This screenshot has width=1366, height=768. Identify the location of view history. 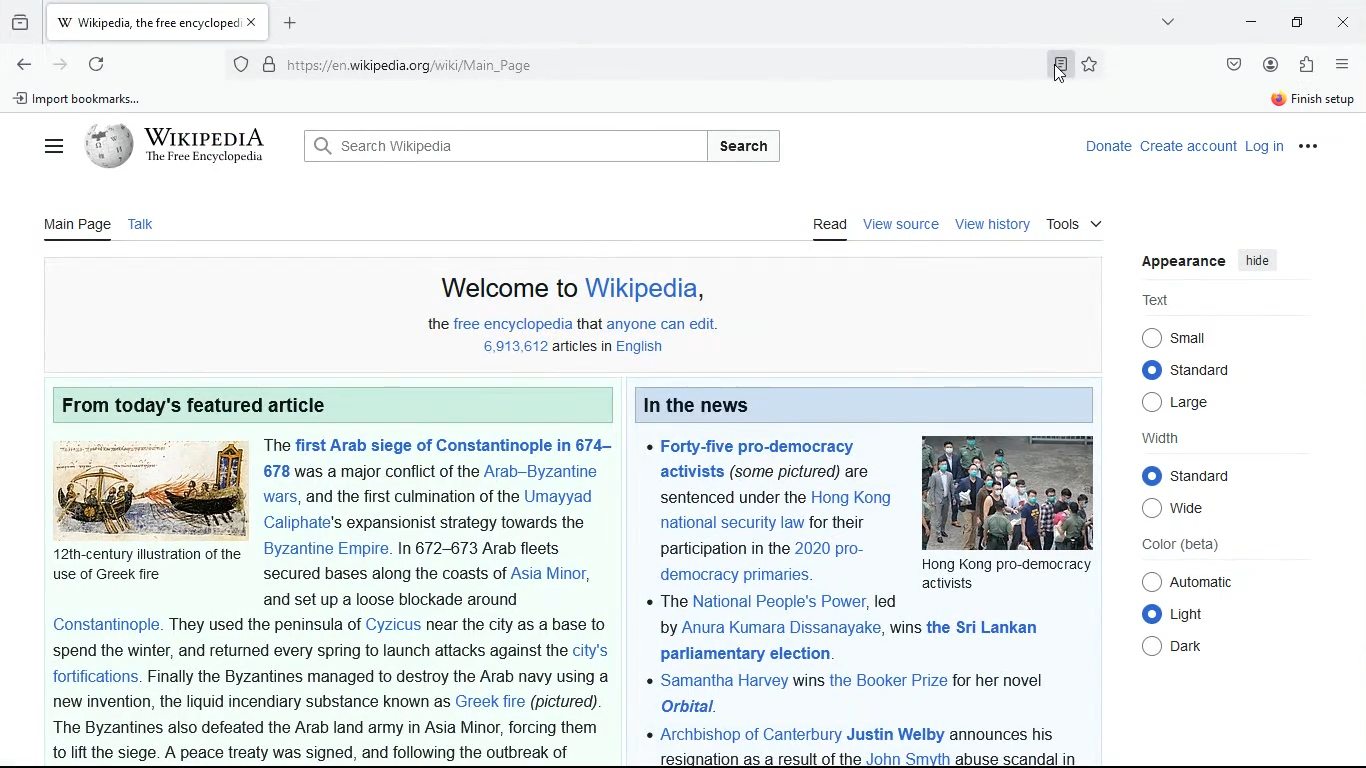
(995, 225).